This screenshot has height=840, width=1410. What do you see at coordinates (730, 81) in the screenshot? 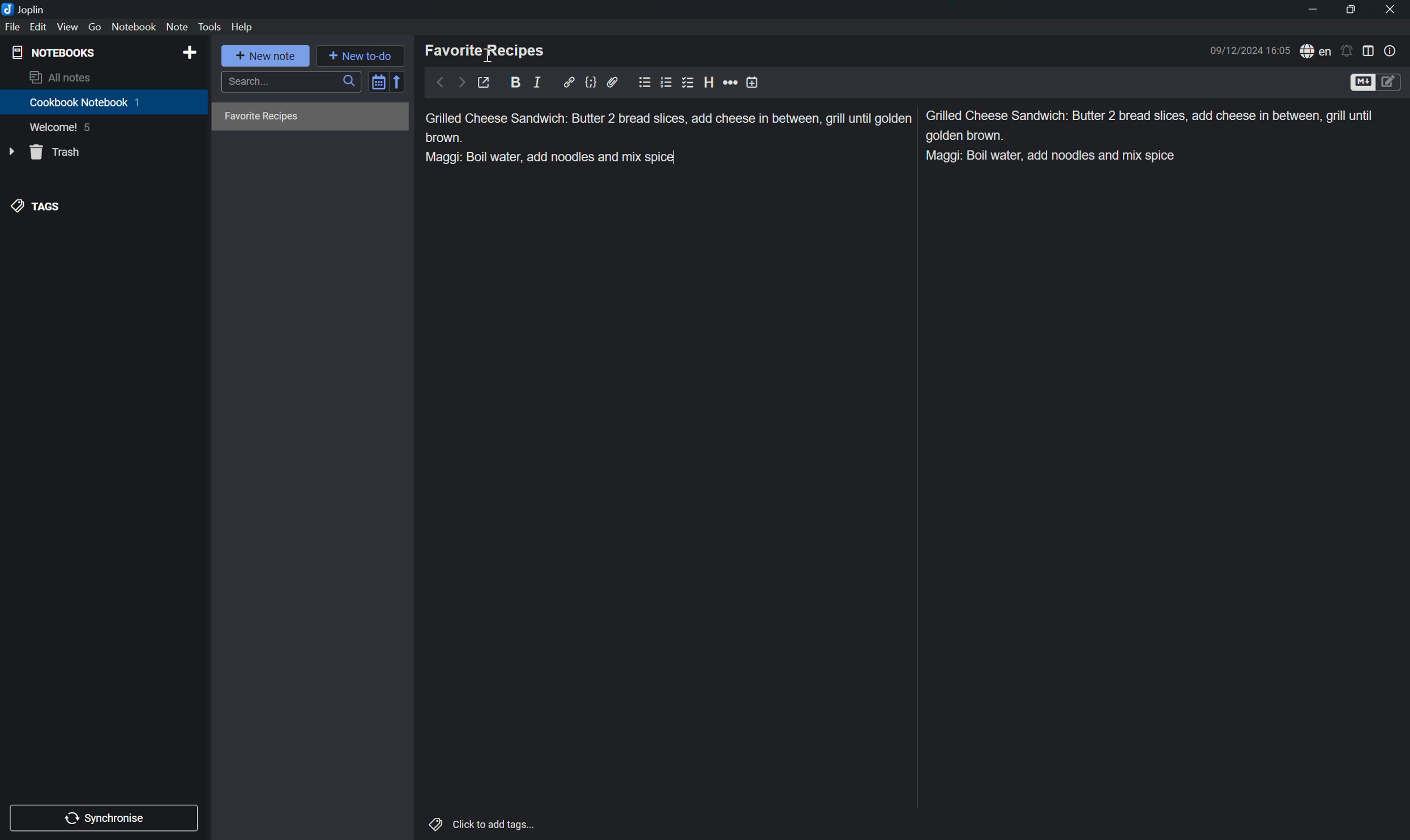
I see `More` at bounding box center [730, 81].